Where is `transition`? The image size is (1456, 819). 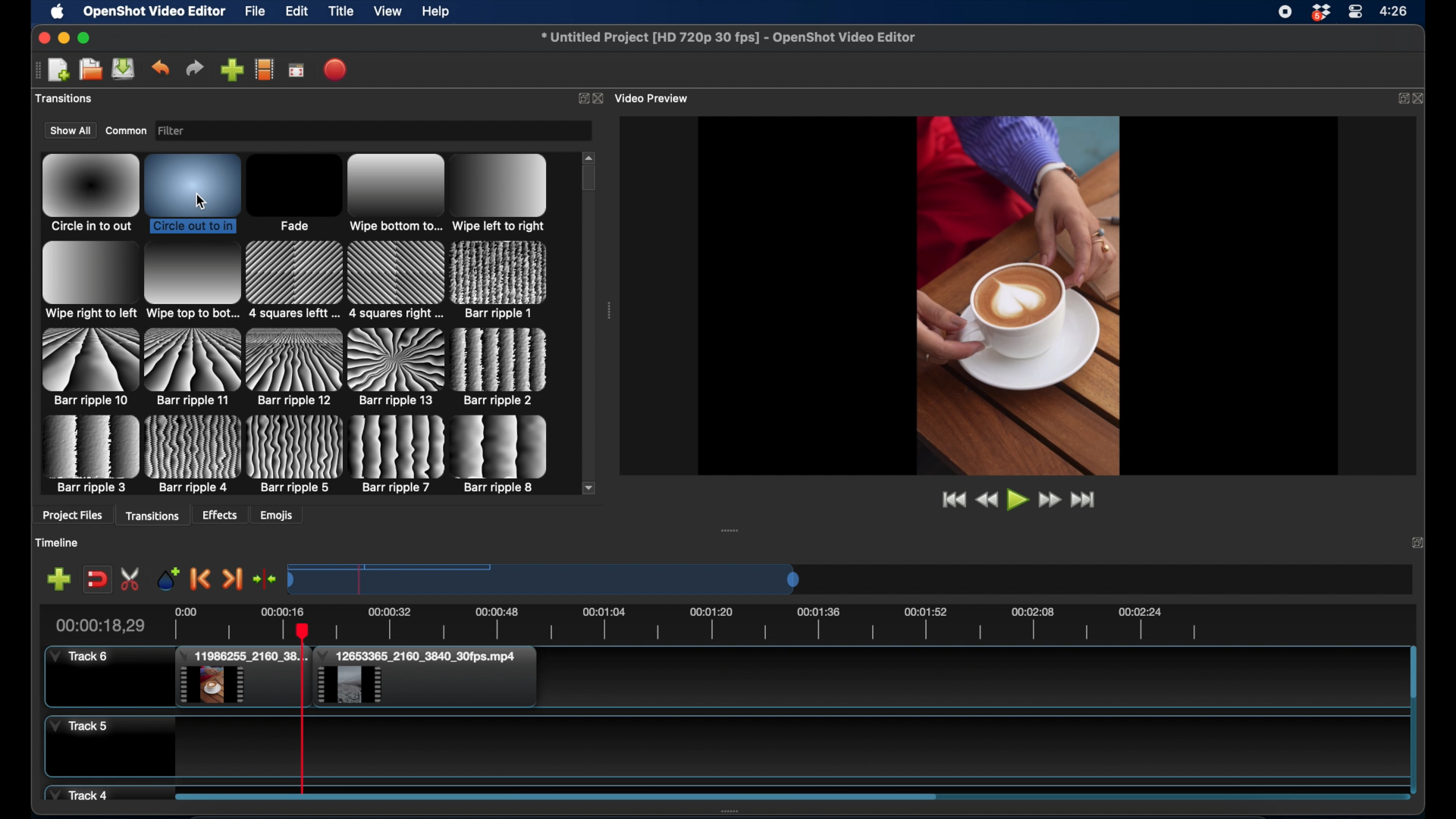
transition is located at coordinates (295, 453).